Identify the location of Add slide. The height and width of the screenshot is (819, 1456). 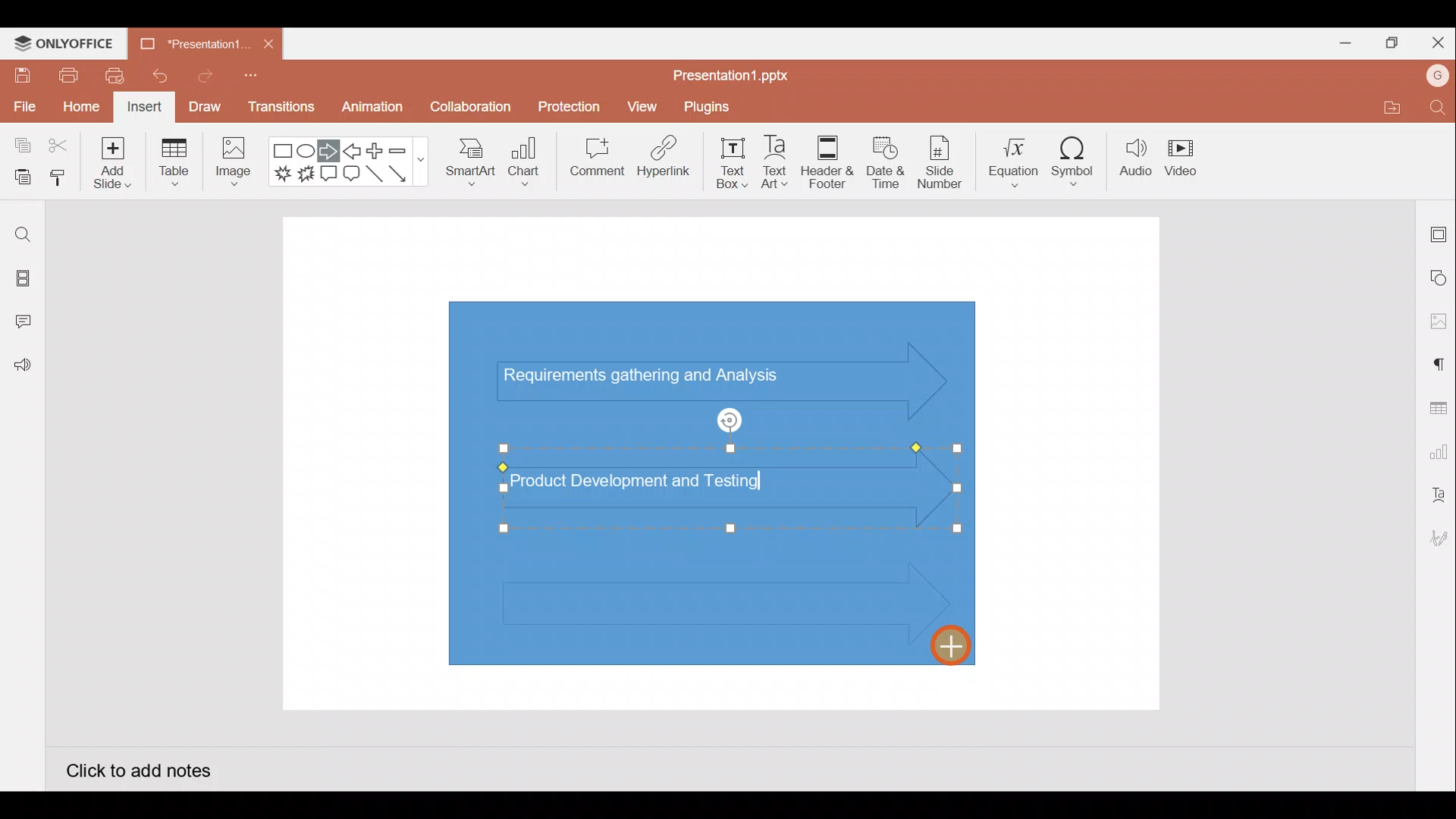
(110, 159).